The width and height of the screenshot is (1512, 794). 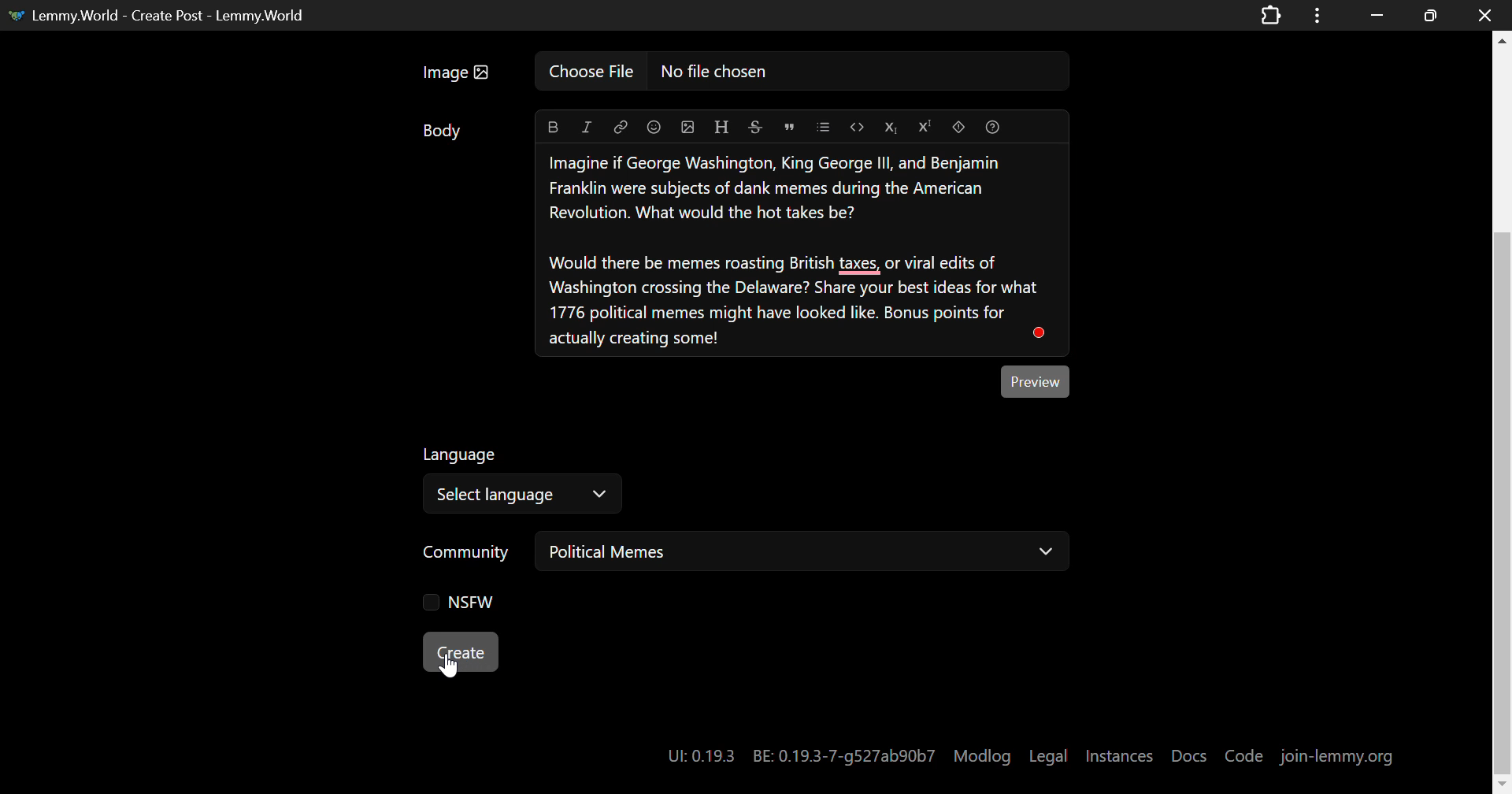 What do you see at coordinates (552, 126) in the screenshot?
I see `Bold` at bounding box center [552, 126].